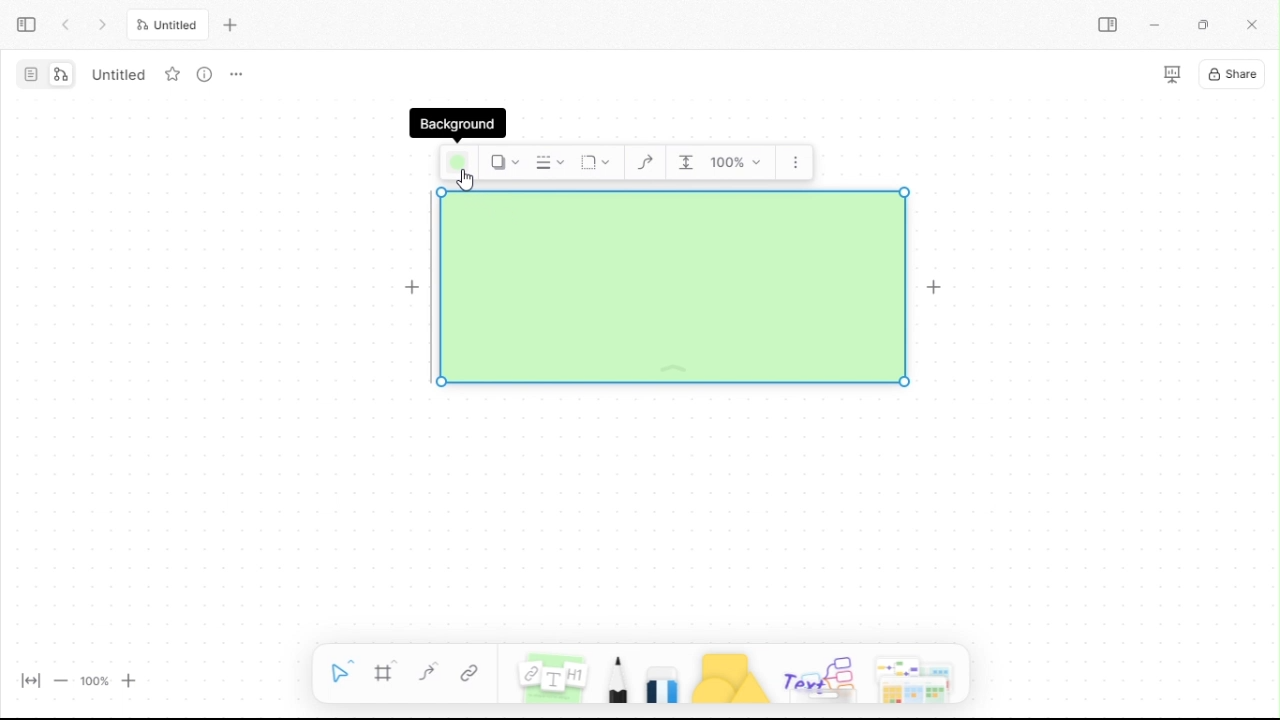 Image resolution: width=1280 pixels, height=720 pixels. I want to click on expand sidebar, so click(26, 26).